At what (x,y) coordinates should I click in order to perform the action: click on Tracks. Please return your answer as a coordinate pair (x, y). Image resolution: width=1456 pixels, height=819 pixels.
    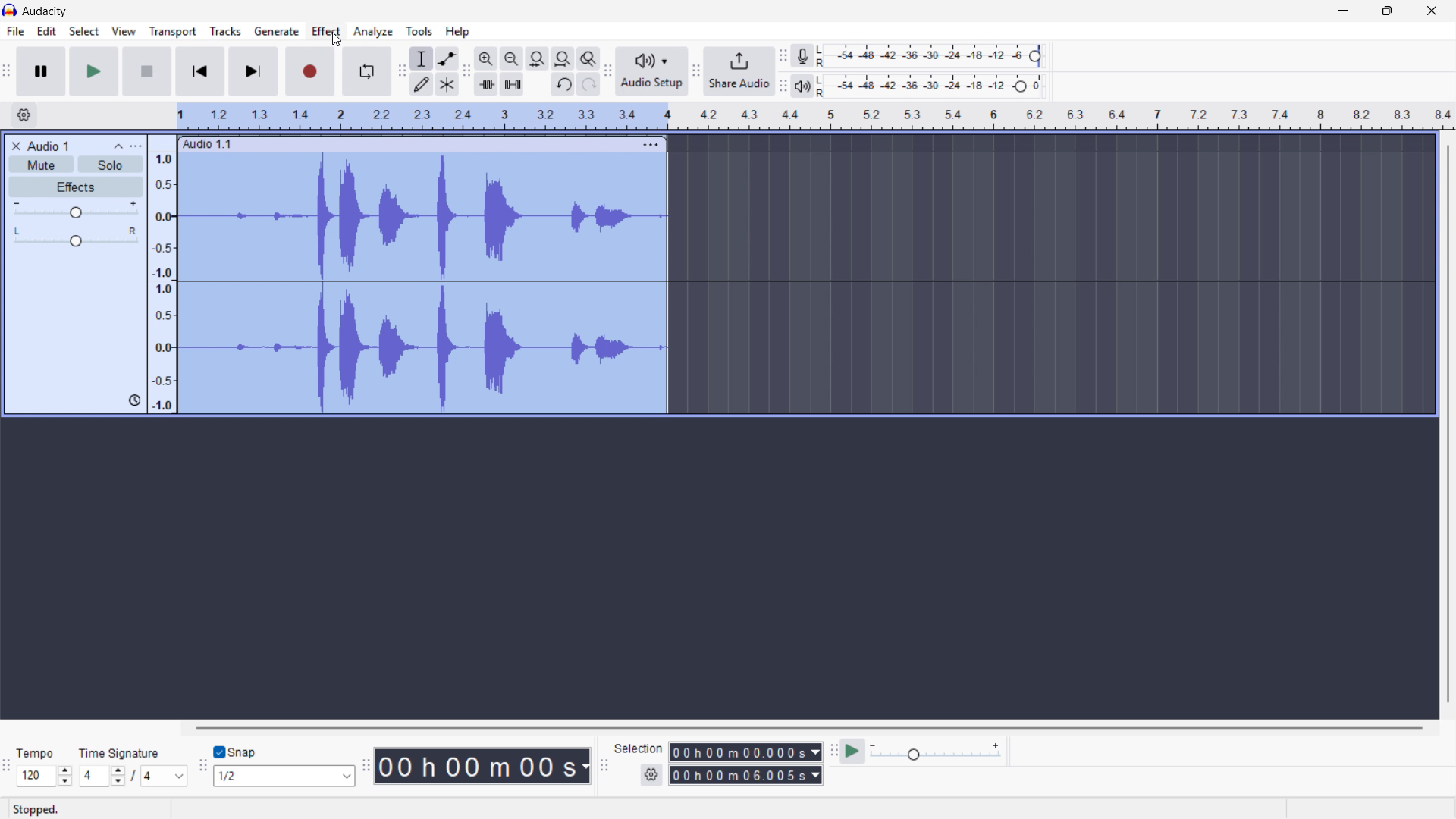
    Looking at the image, I should click on (225, 30).